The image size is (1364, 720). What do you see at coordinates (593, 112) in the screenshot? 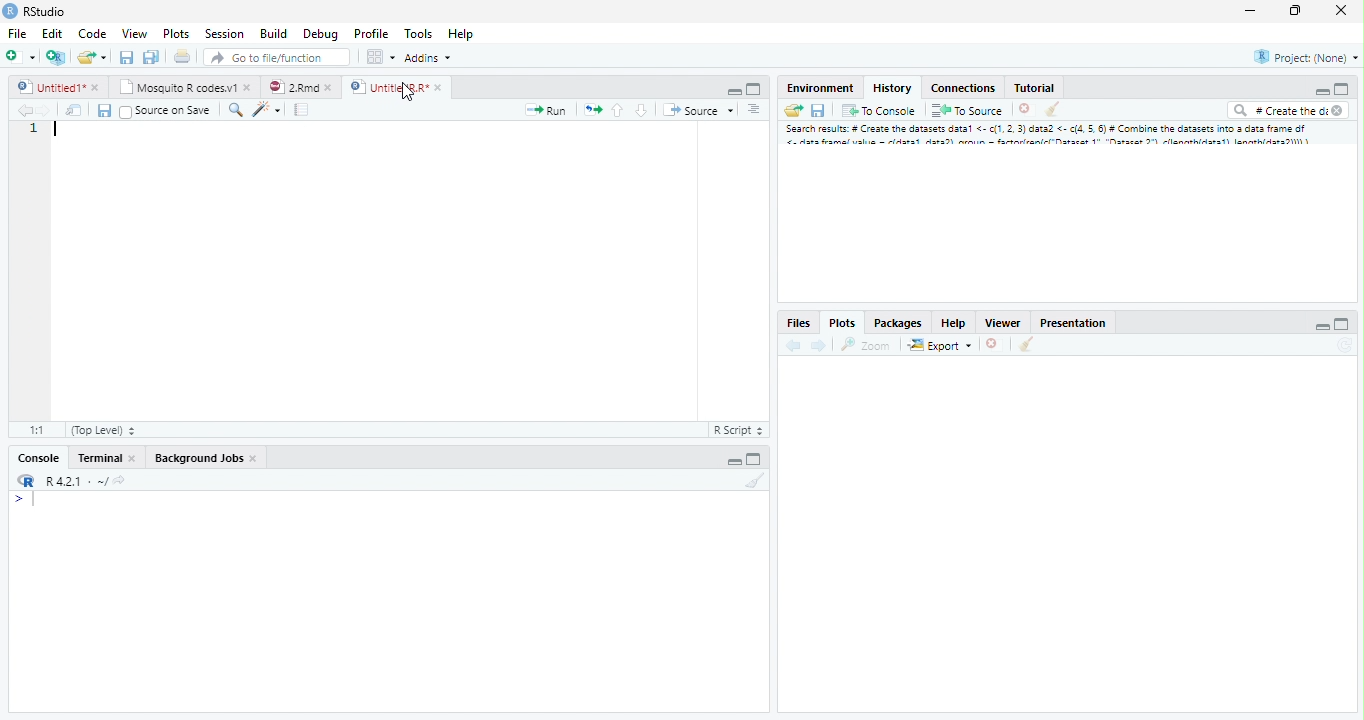
I see `Pages` at bounding box center [593, 112].